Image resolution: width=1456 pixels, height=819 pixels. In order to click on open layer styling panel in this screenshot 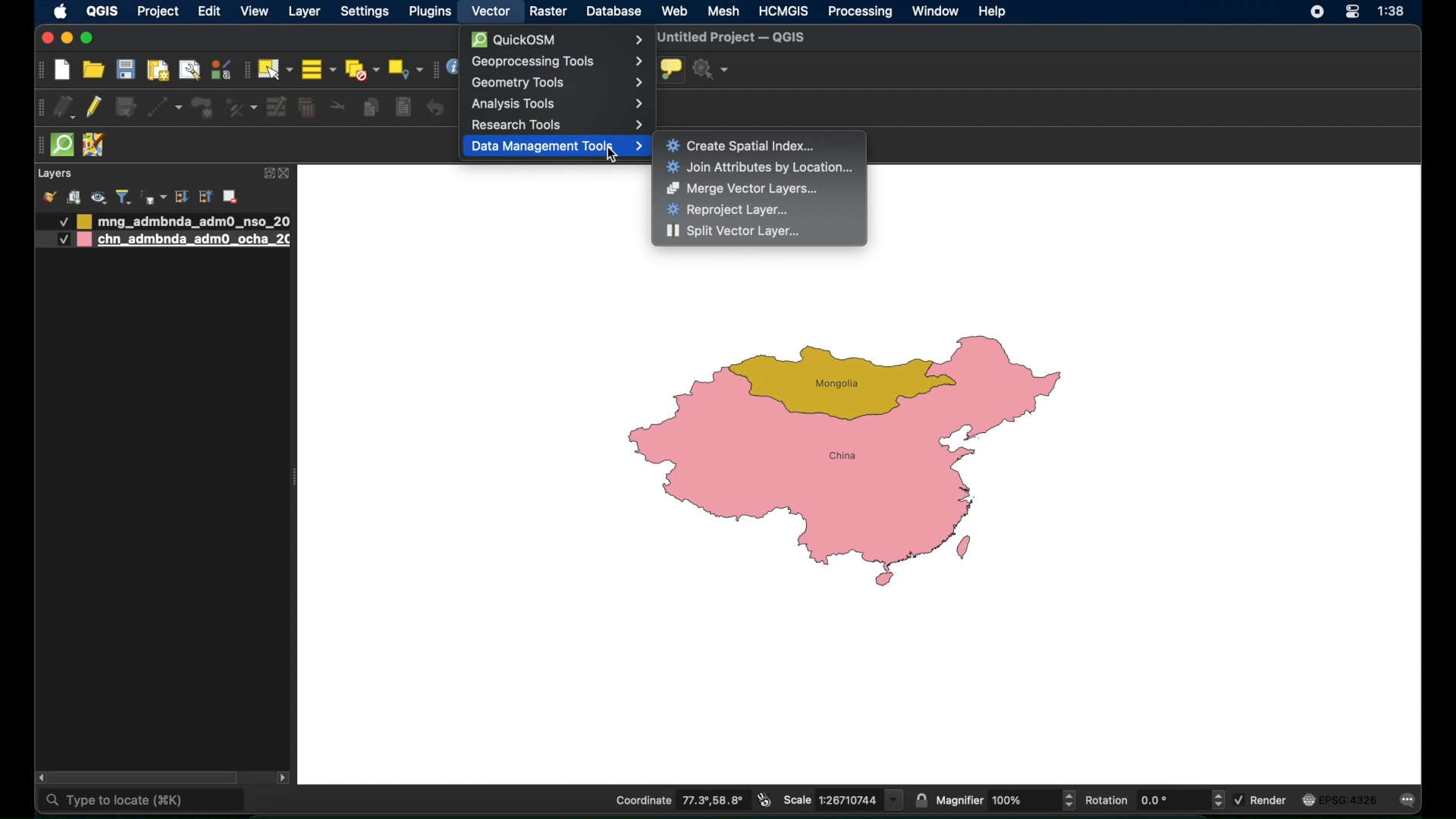, I will do `click(49, 197)`.